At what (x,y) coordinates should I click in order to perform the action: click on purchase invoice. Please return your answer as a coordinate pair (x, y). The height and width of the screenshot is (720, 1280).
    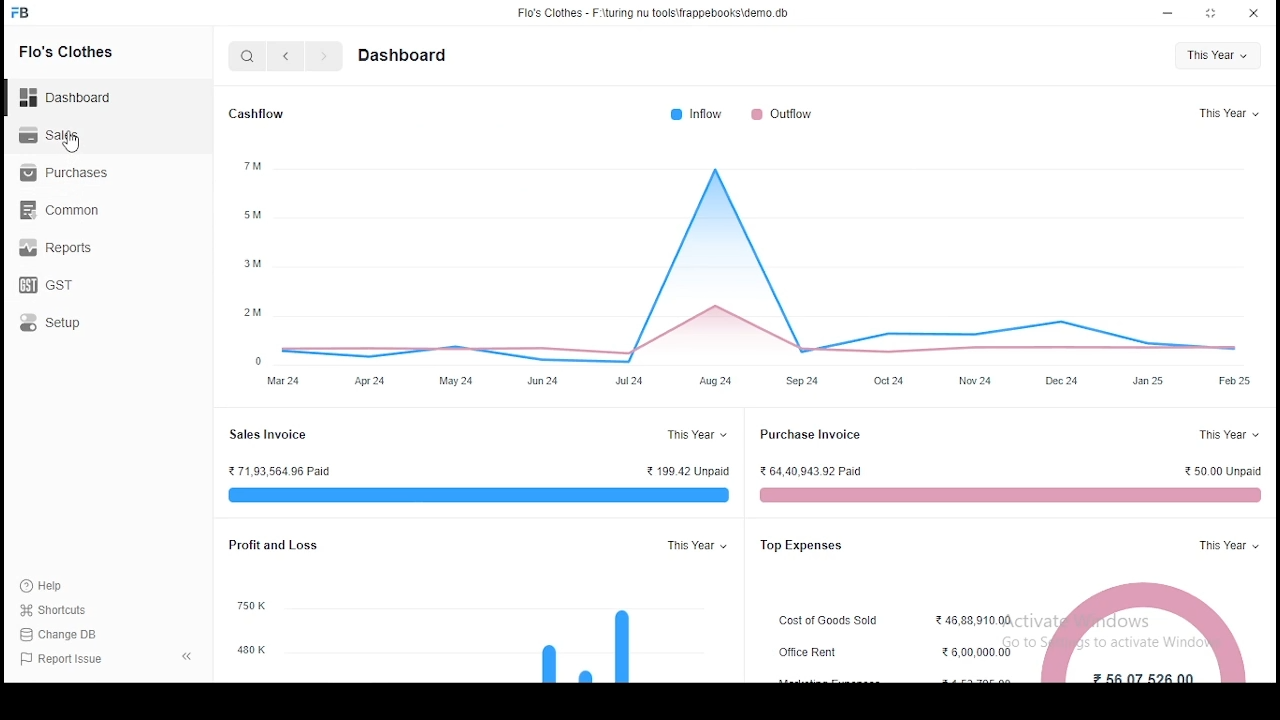
    Looking at the image, I should click on (1007, 495).